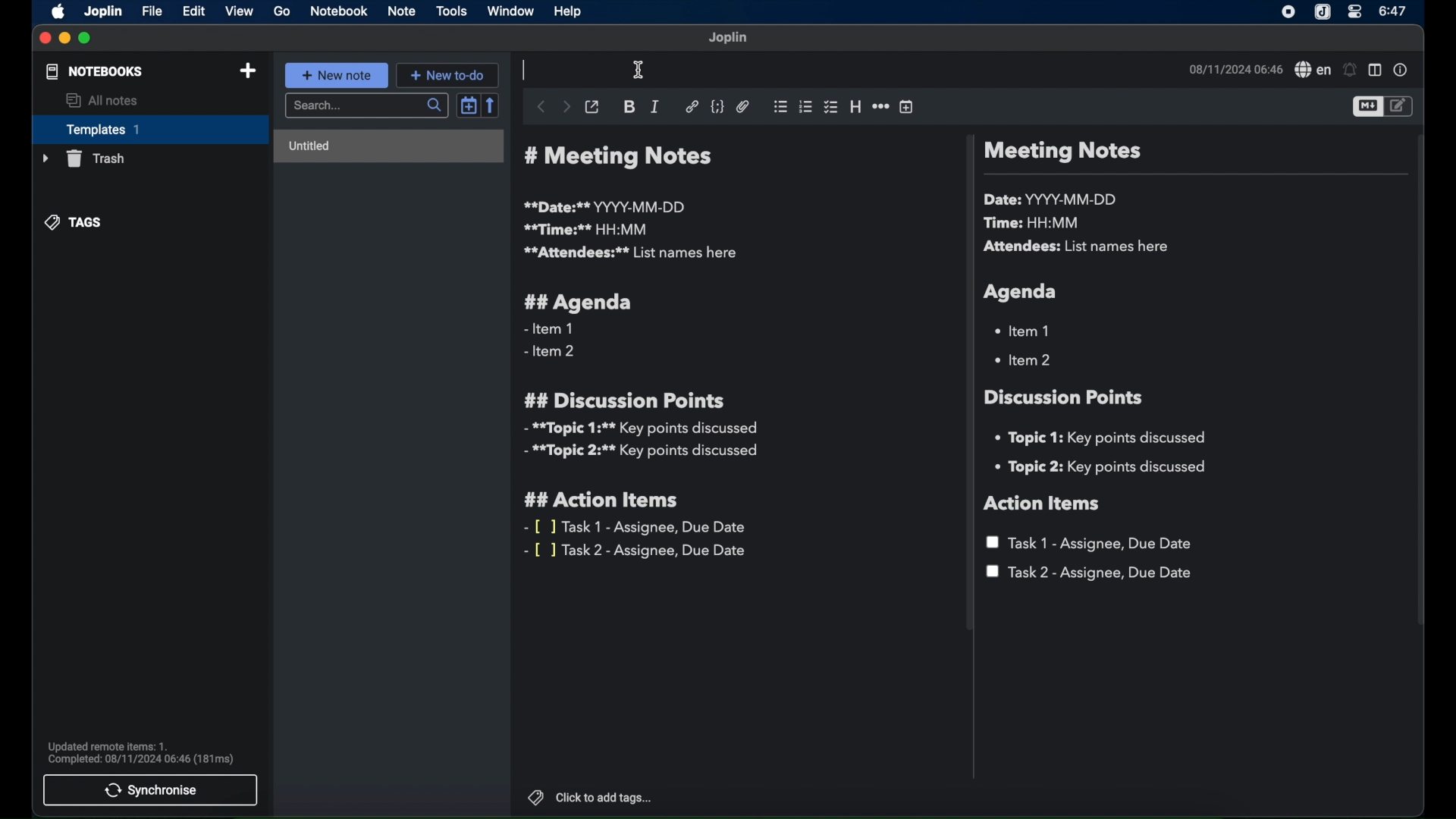  What do you see at coordinates (1421, 390) in the screenshot?
I see `scroll bar` at bounding box center [1421, 390].